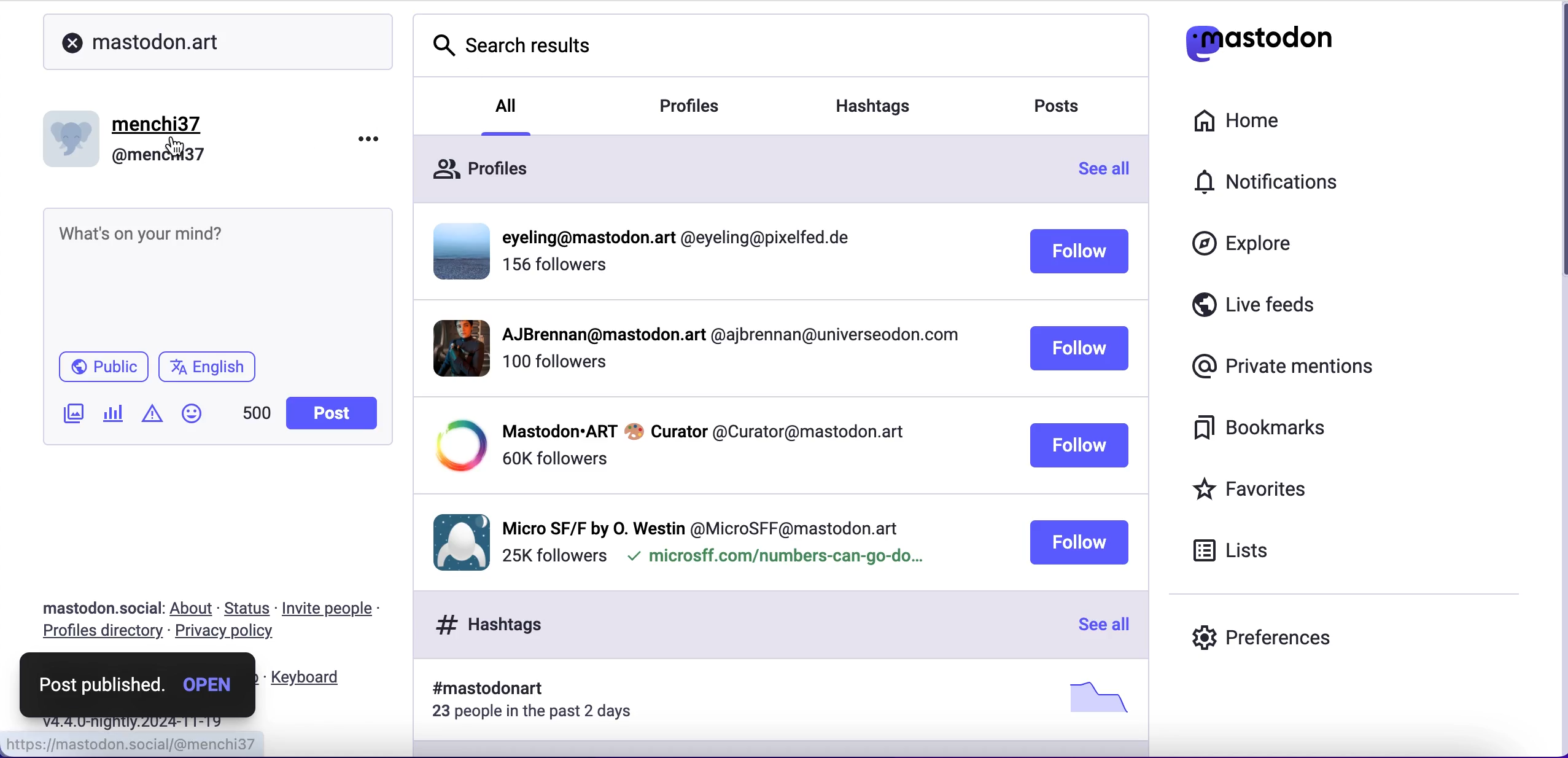  What do you see at coordinates (159, 125) in the screenshot?
I see `menchi37` at bounding box center [159, 125].